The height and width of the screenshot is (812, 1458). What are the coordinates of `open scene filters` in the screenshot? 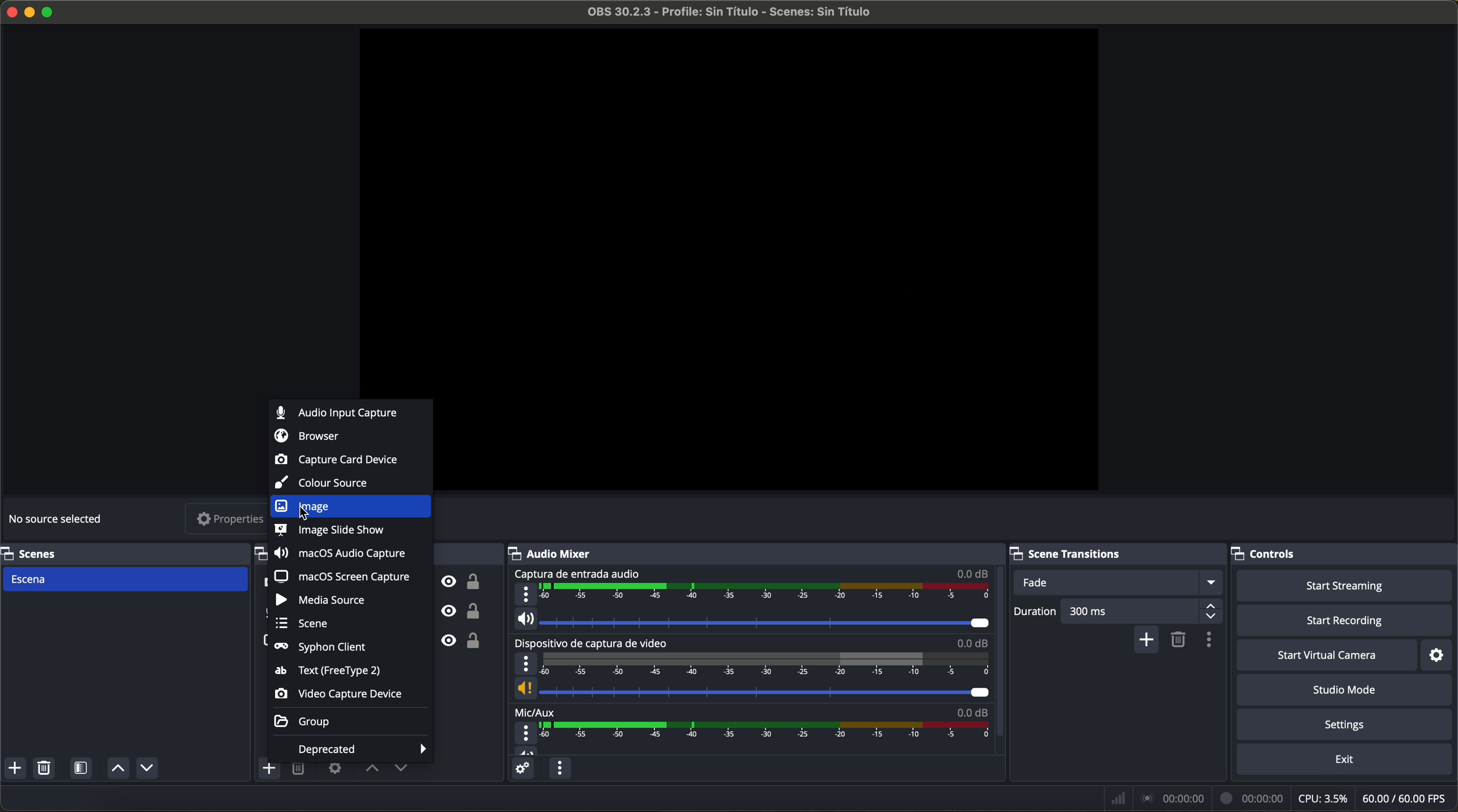 It's located at (83, 769).